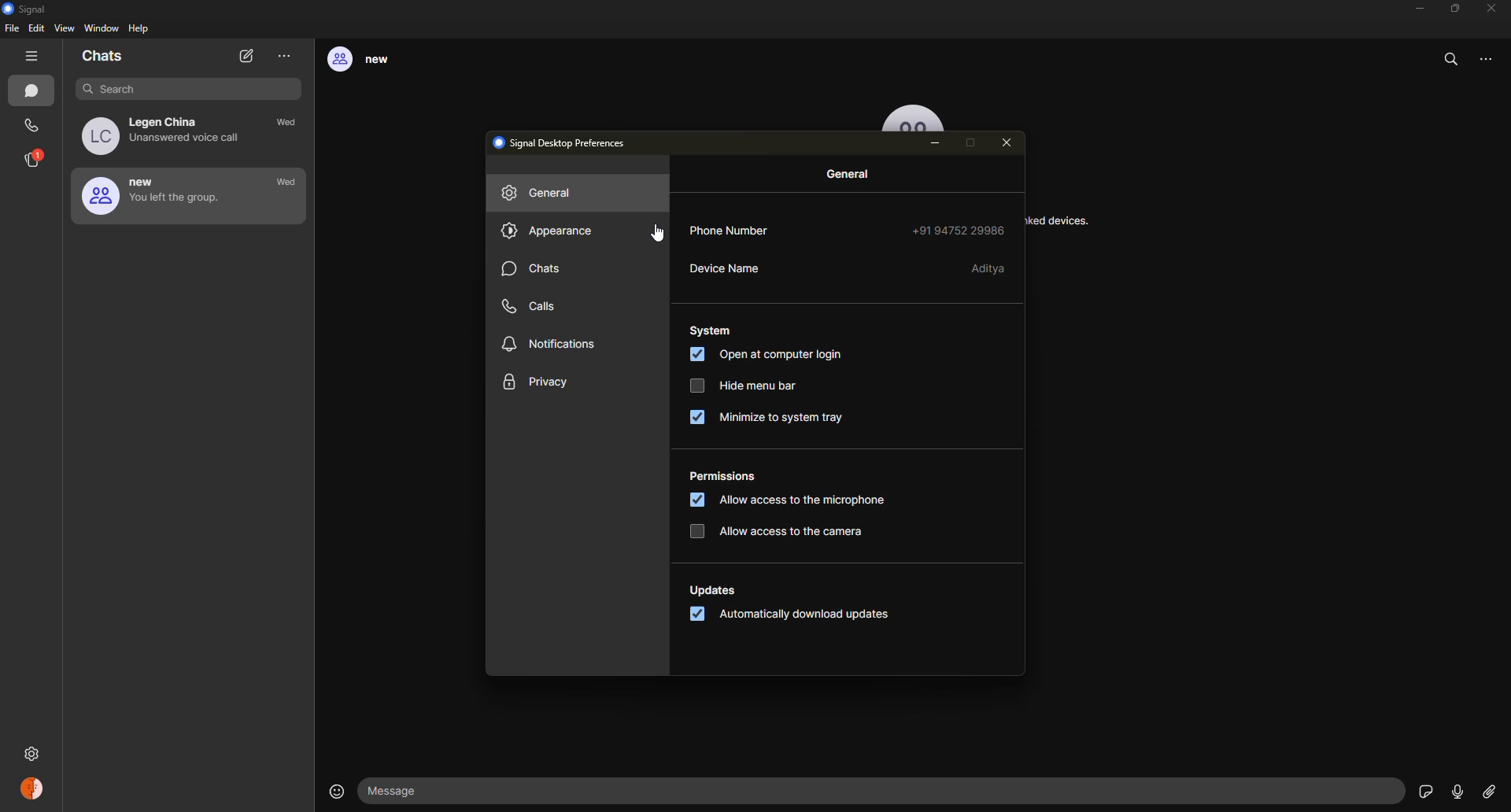 The height and width of the screenshot is (812, 1511). I want to click on calls, so click(33, 126).